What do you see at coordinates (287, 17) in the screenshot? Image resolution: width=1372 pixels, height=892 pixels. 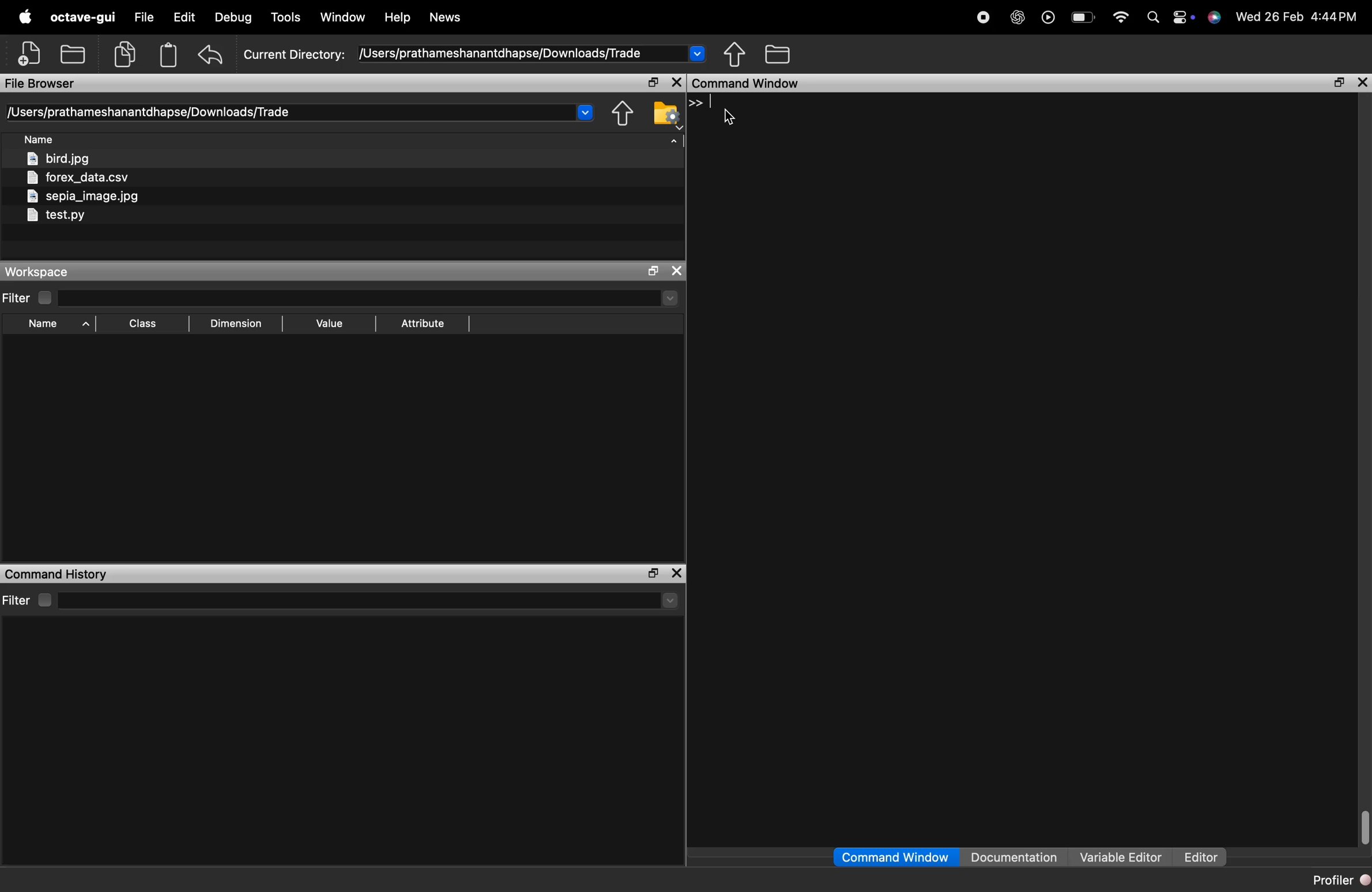 I see `Tools` at bounding box center [287, 17].